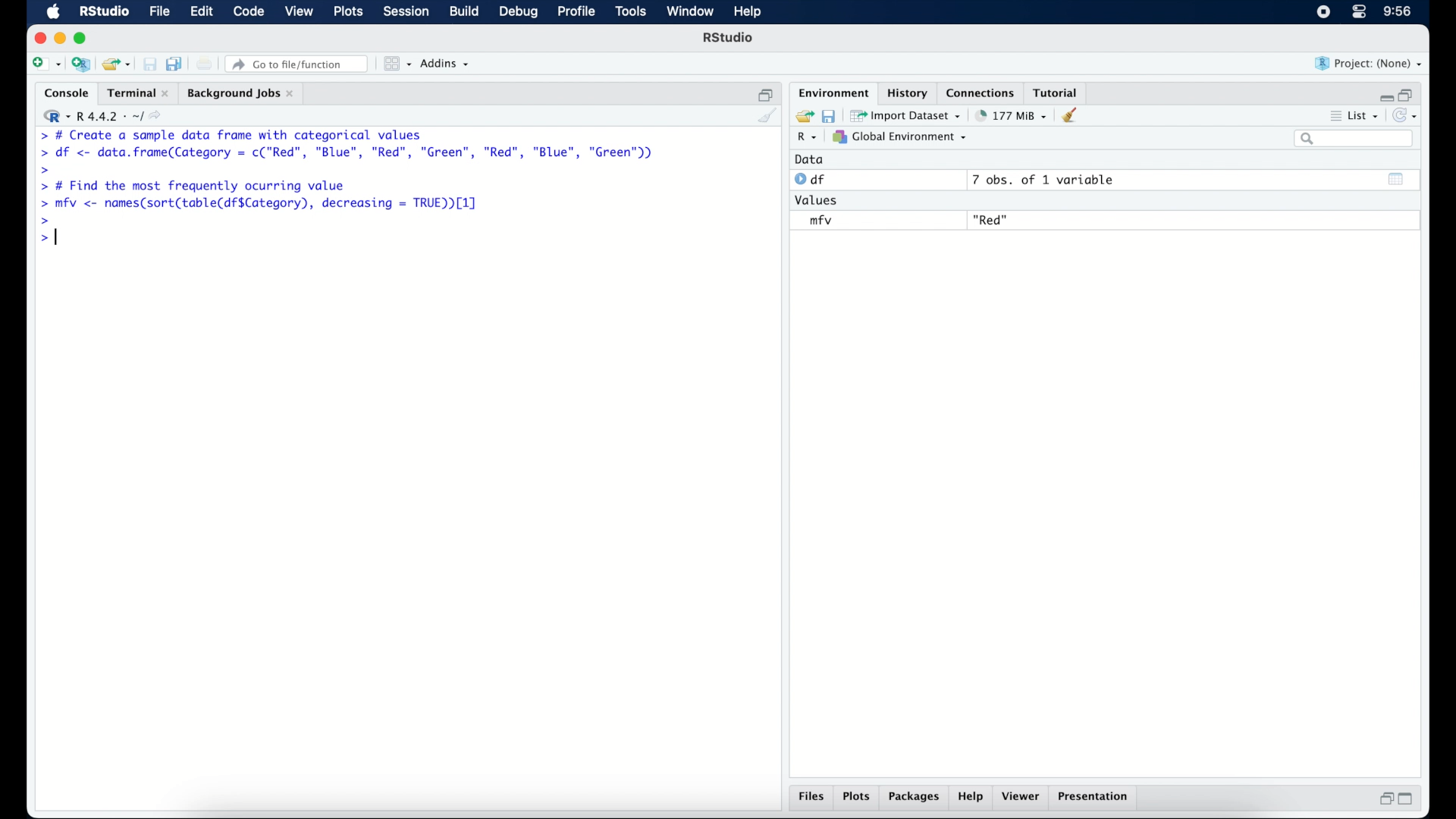  Describe the element at coordinates (174, 62) in the screenshot. I see `save all open documents` at that location.